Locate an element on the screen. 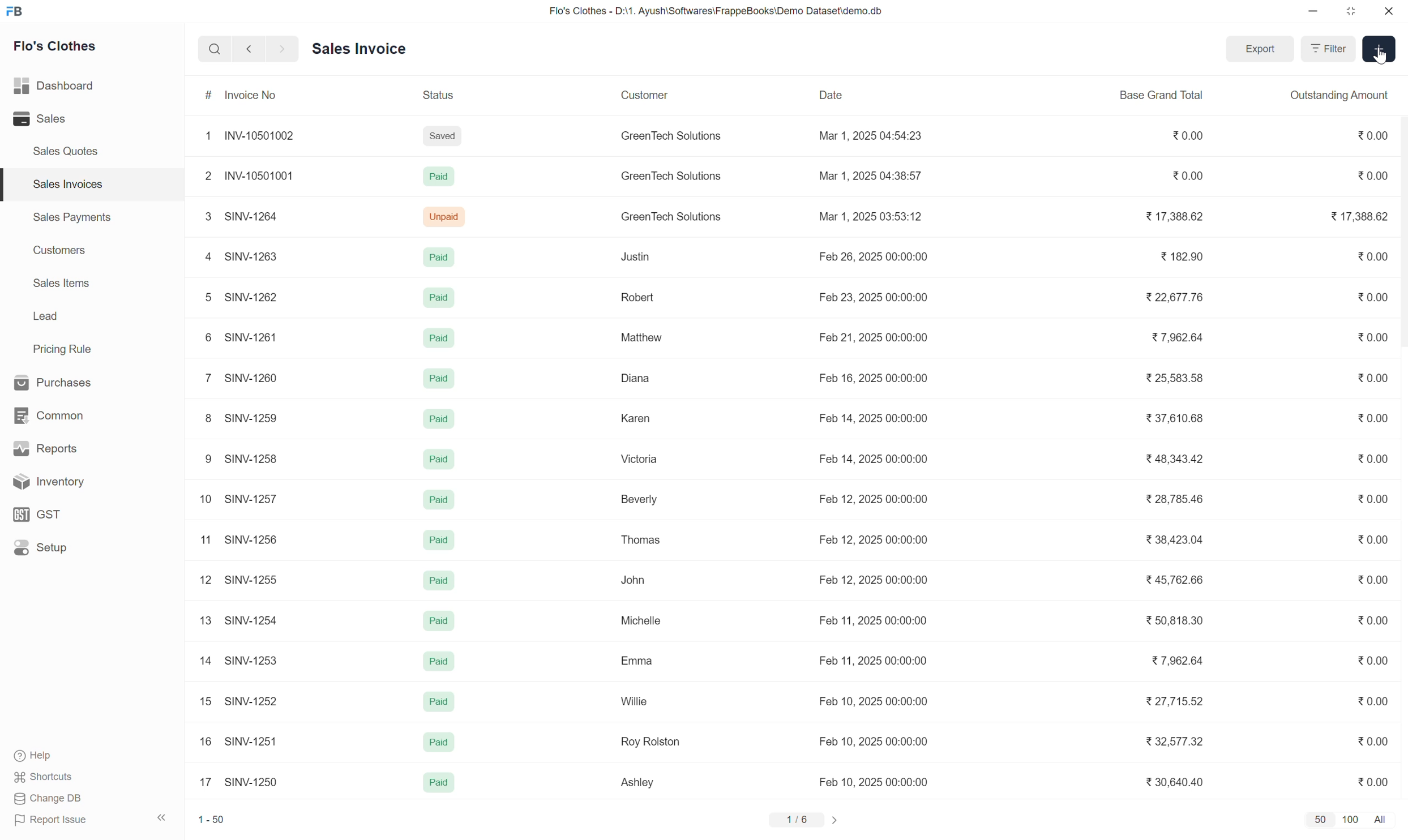 Image resolution: width=1408 pixels, height=840 pixels. Reports  is located at coordinates (76, 447).